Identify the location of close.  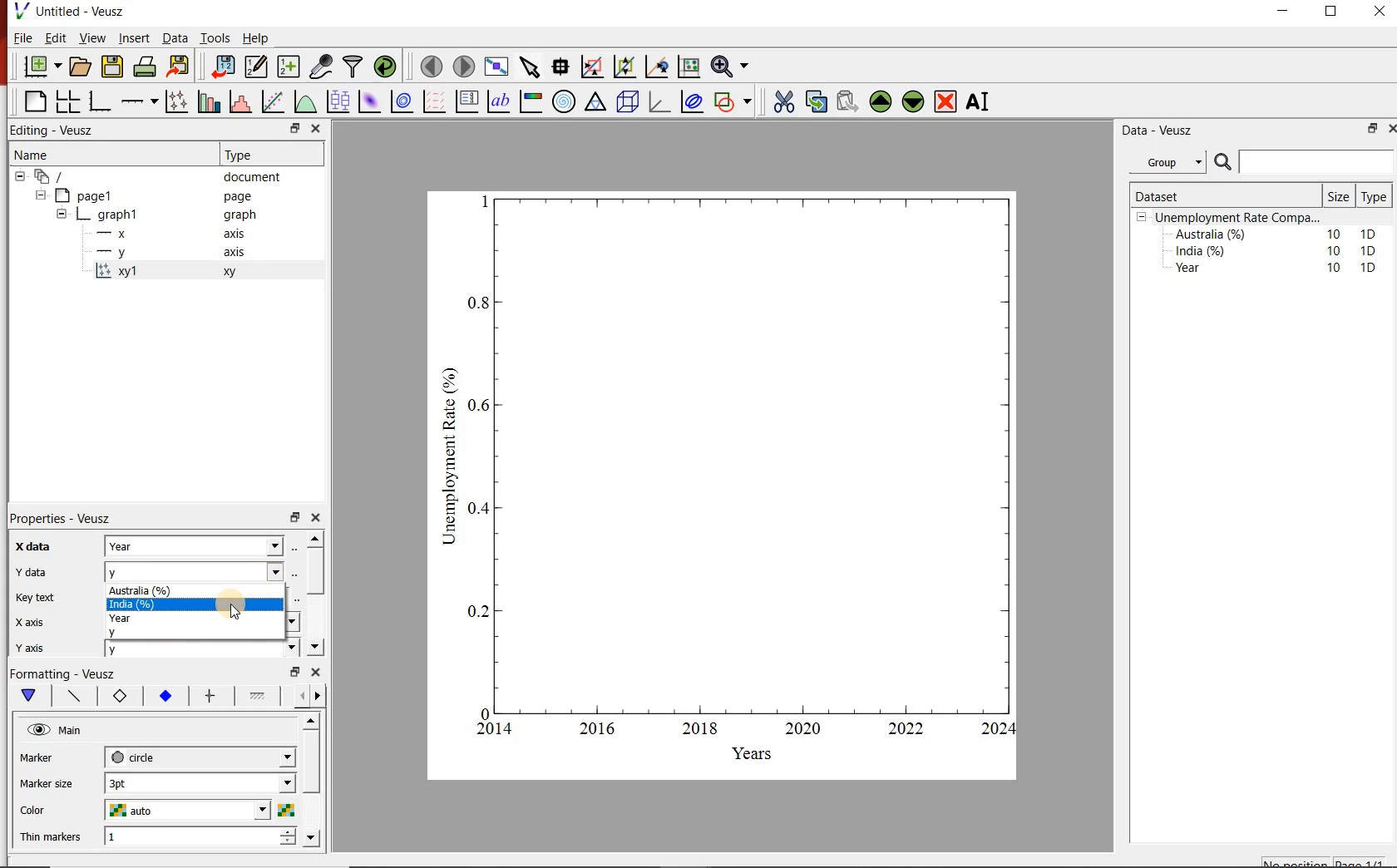
(1392, 127).